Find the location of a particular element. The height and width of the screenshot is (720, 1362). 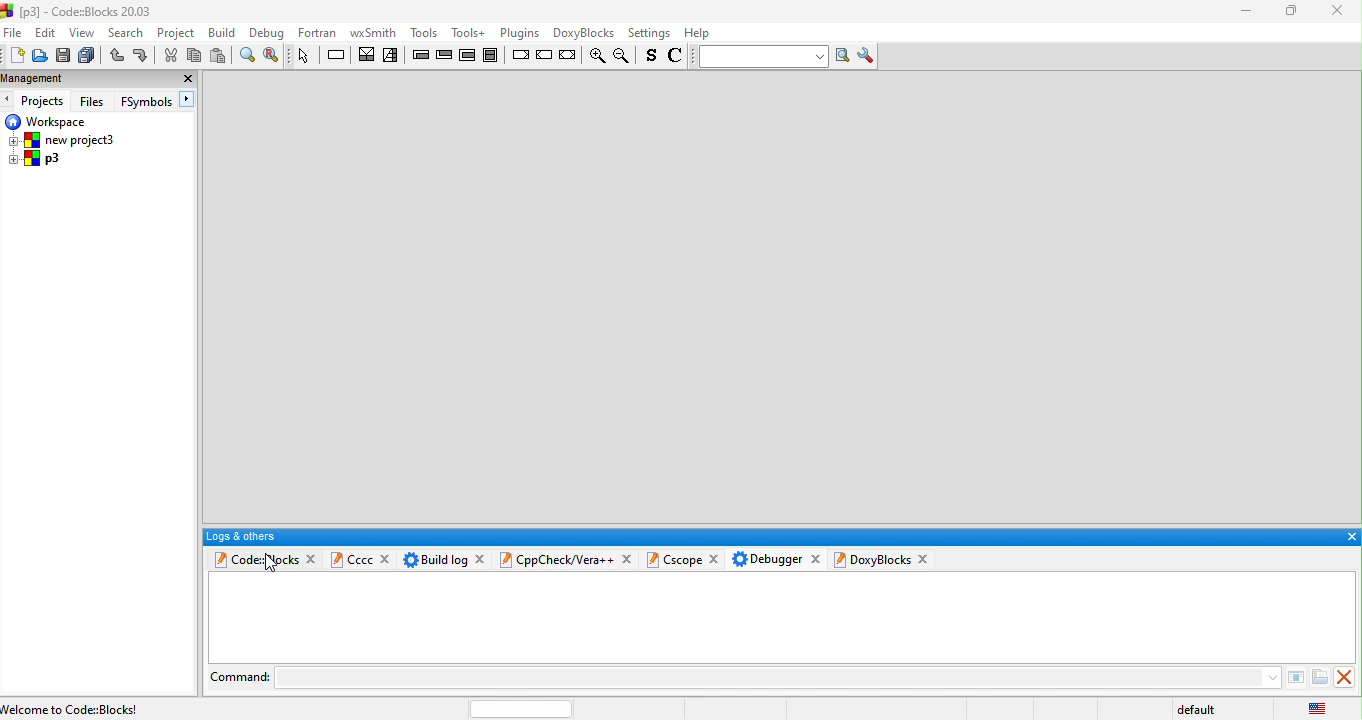

tools is located at coordinates (469, 32).